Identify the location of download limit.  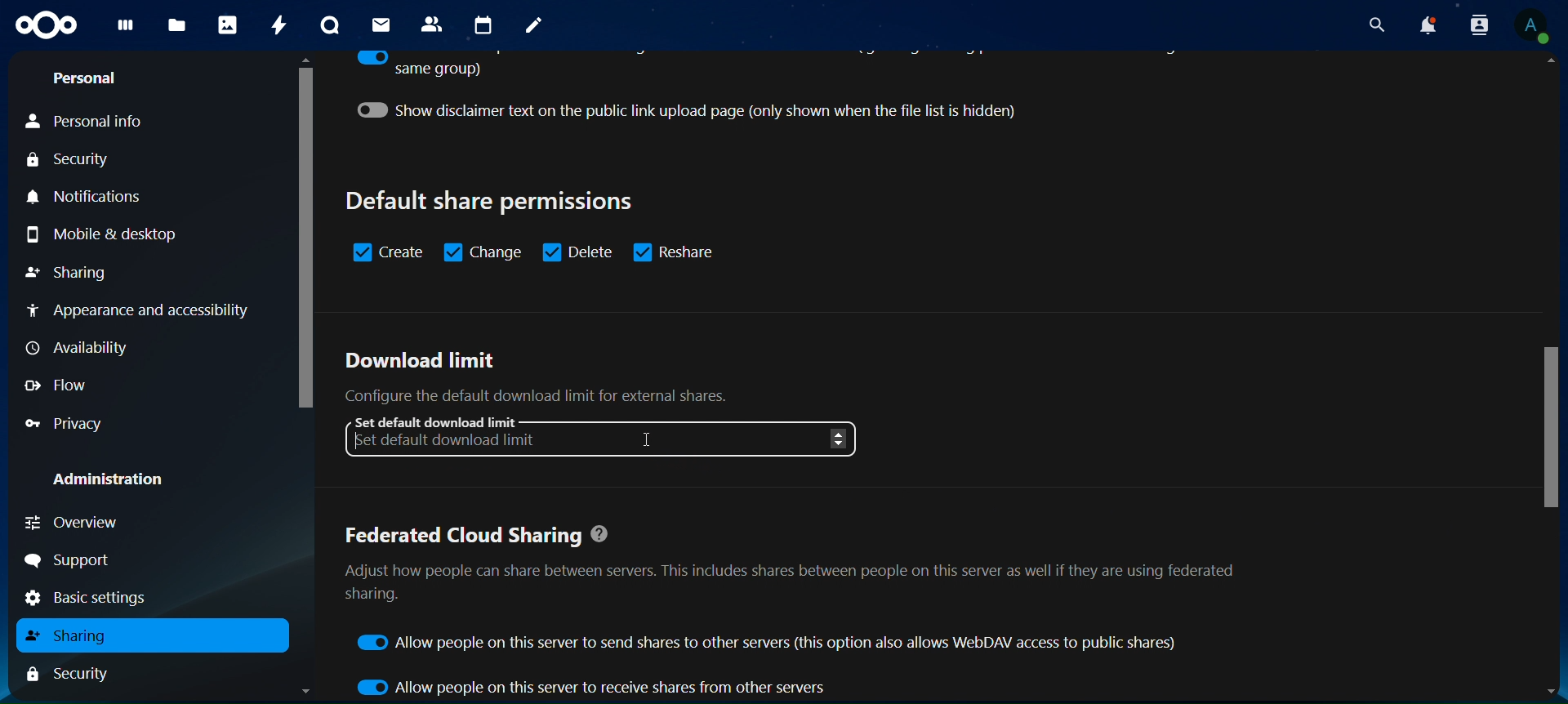
(609, 408).